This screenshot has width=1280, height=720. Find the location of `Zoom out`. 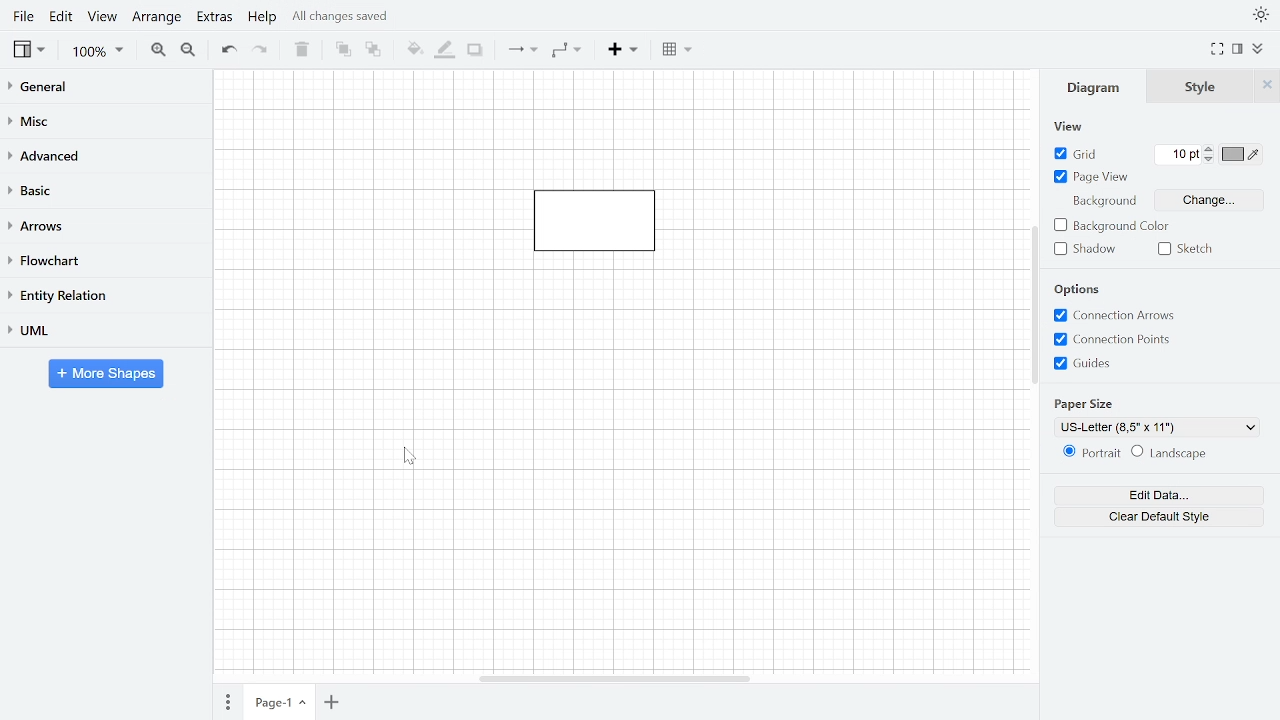

Zoom out is located at coordinates (189, 51).